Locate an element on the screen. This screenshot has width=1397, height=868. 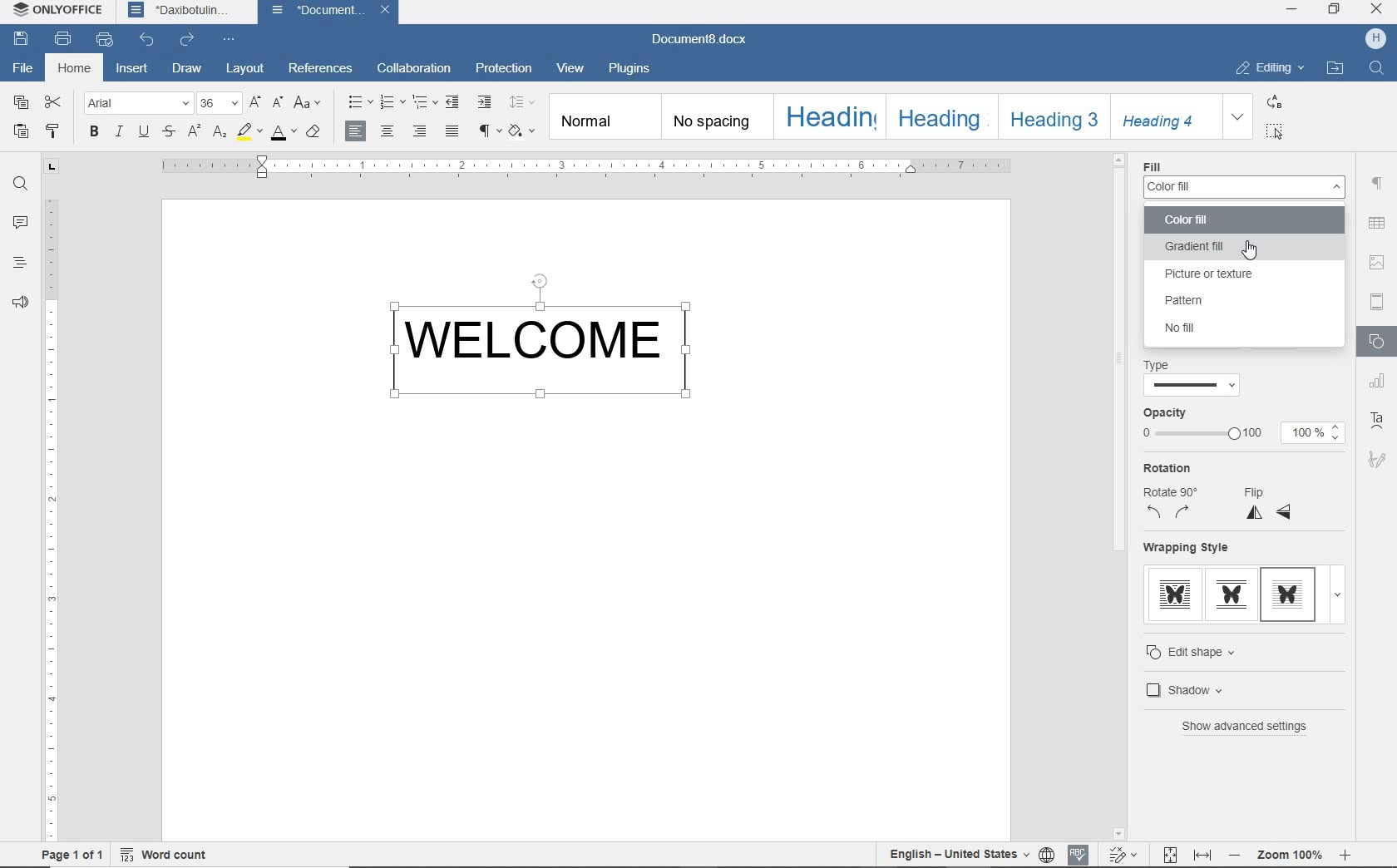
NORMAL is located at coordinates (606, 116).